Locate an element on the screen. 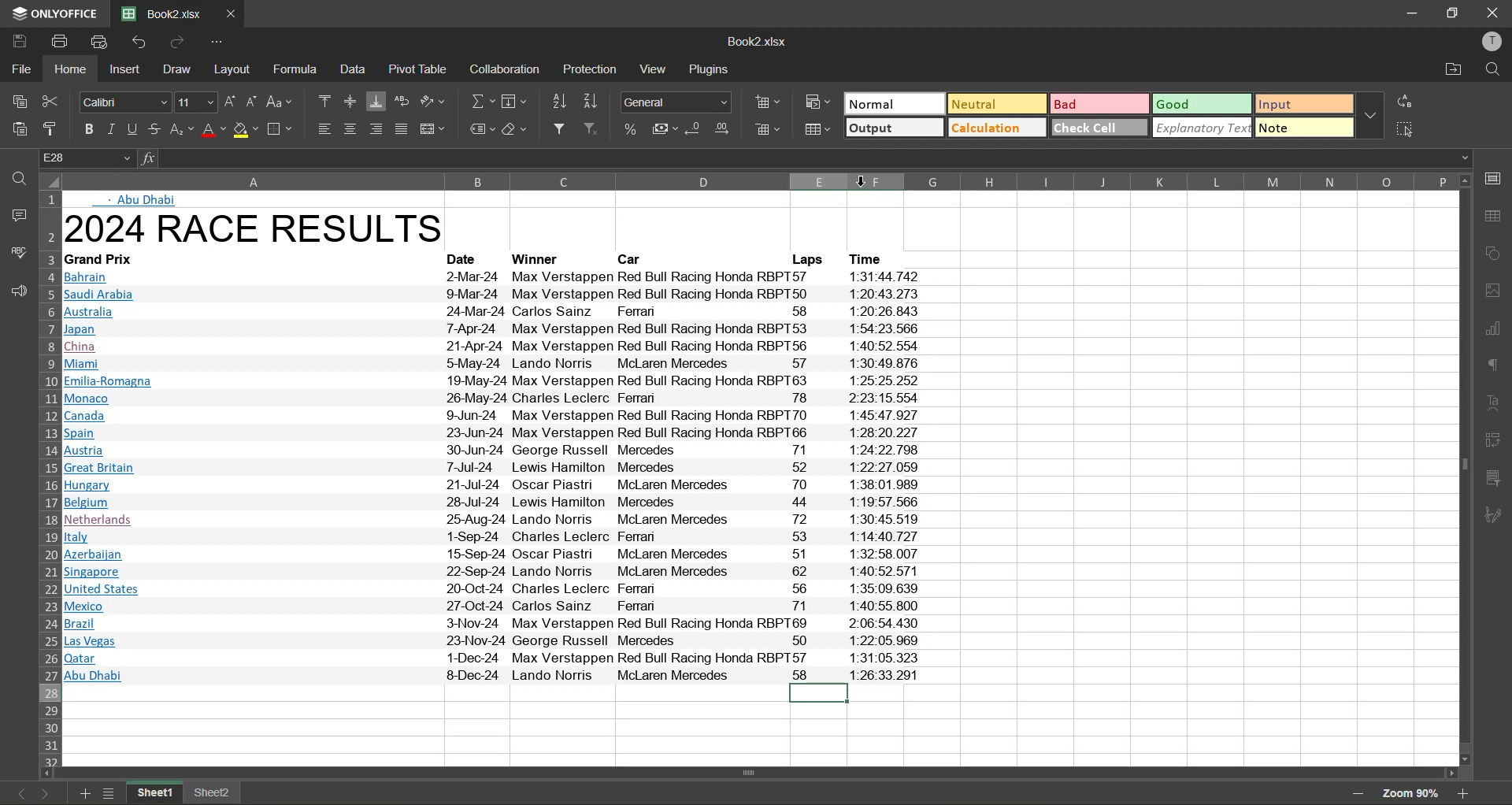 This screenshot has height=805, width=1512. text is located at coordinates (1497, 403).